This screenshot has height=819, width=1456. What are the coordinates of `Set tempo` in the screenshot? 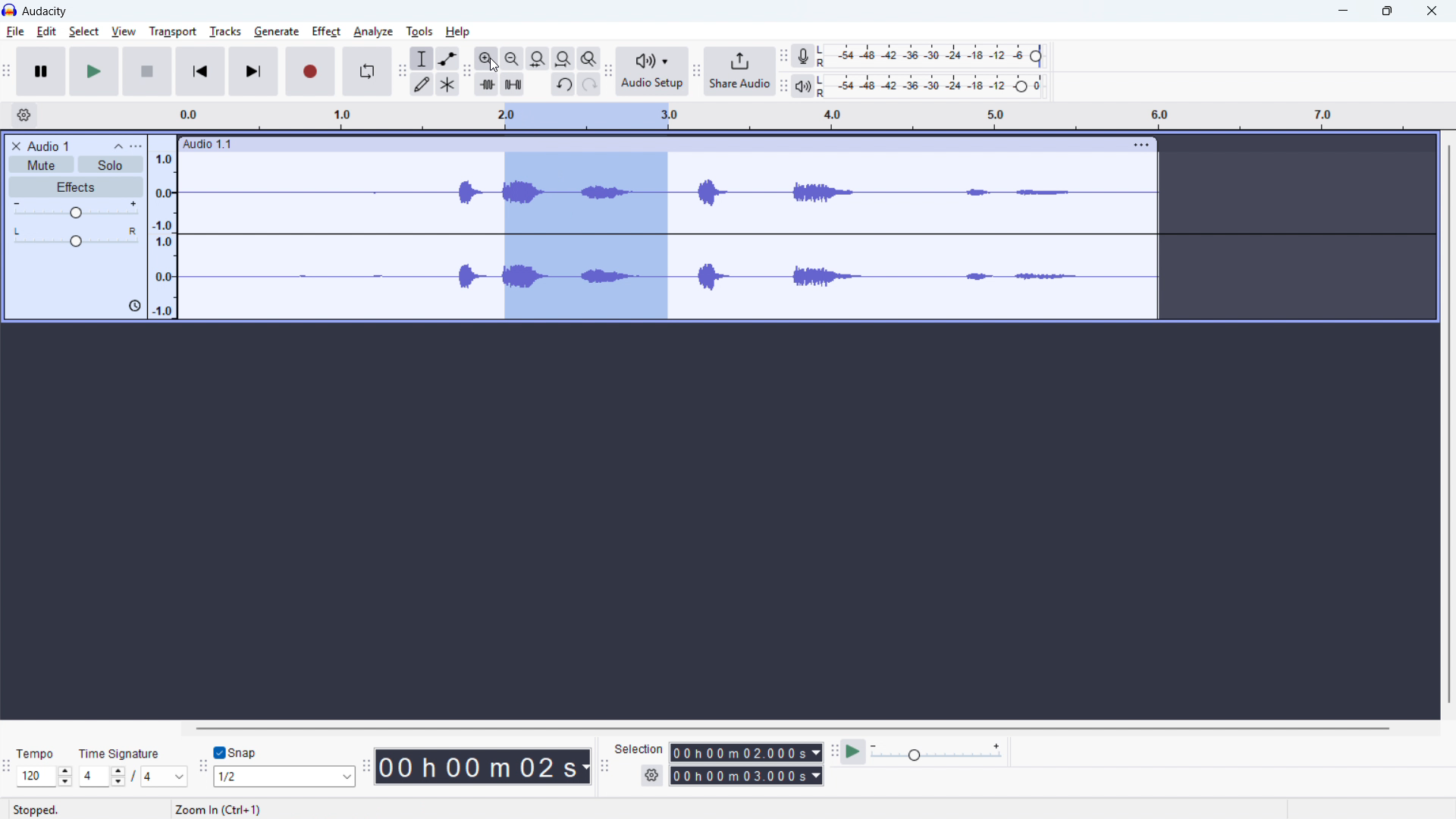 It's located at (44, 776).